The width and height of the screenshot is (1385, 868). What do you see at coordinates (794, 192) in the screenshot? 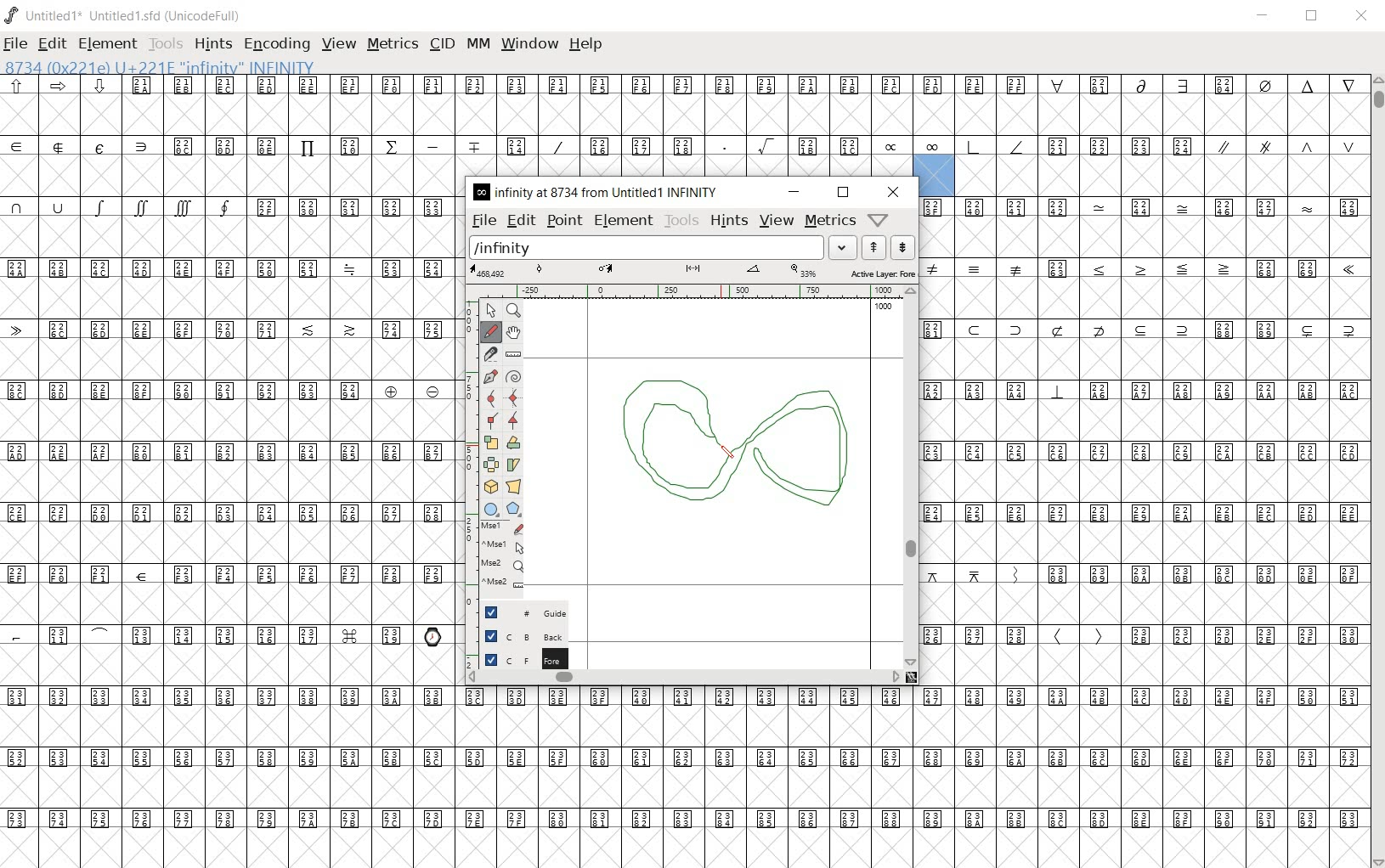
I see `minimize` at bounding box center [794, 192].